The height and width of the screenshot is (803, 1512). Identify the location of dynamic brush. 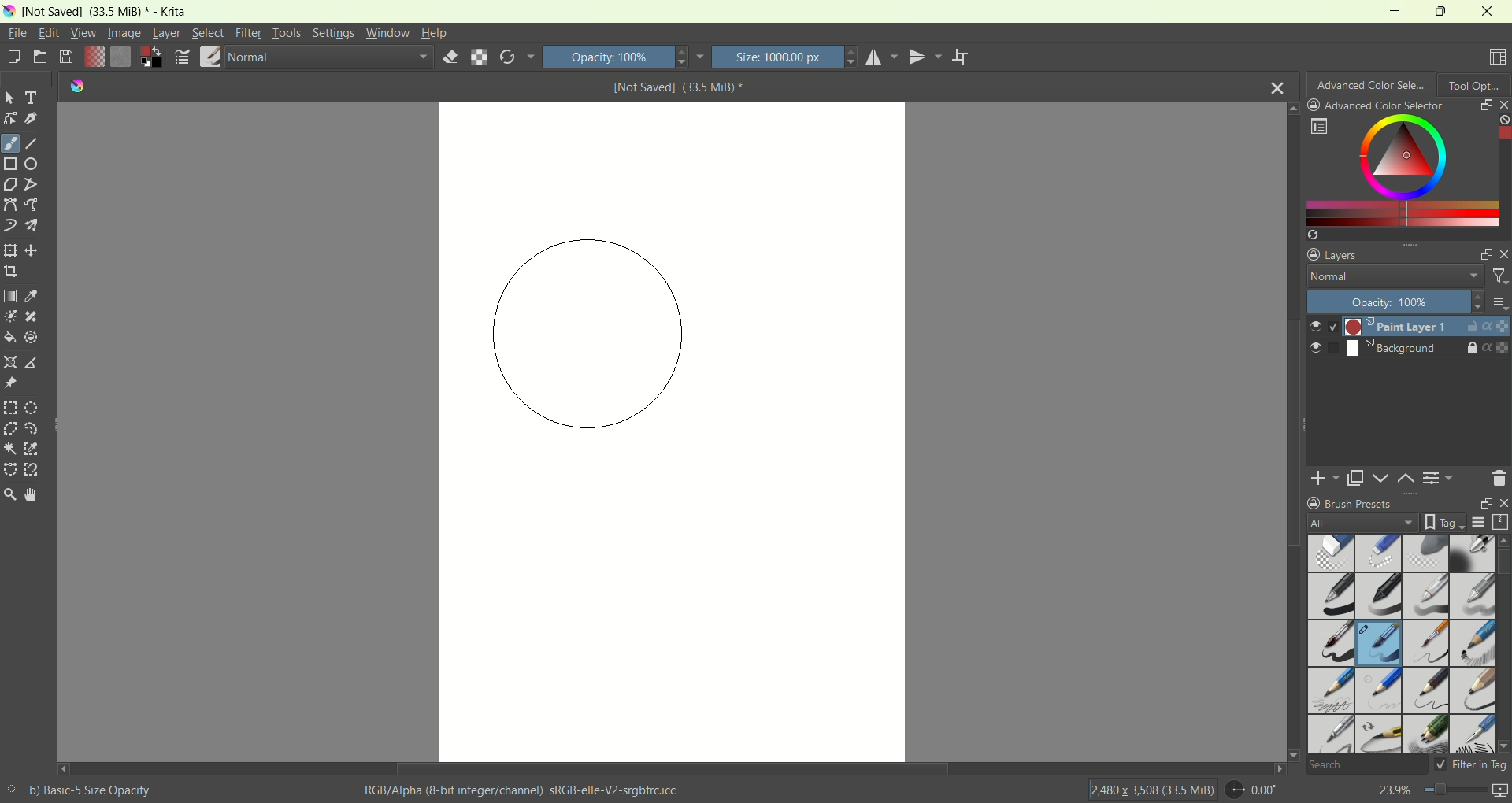
(10, 225).